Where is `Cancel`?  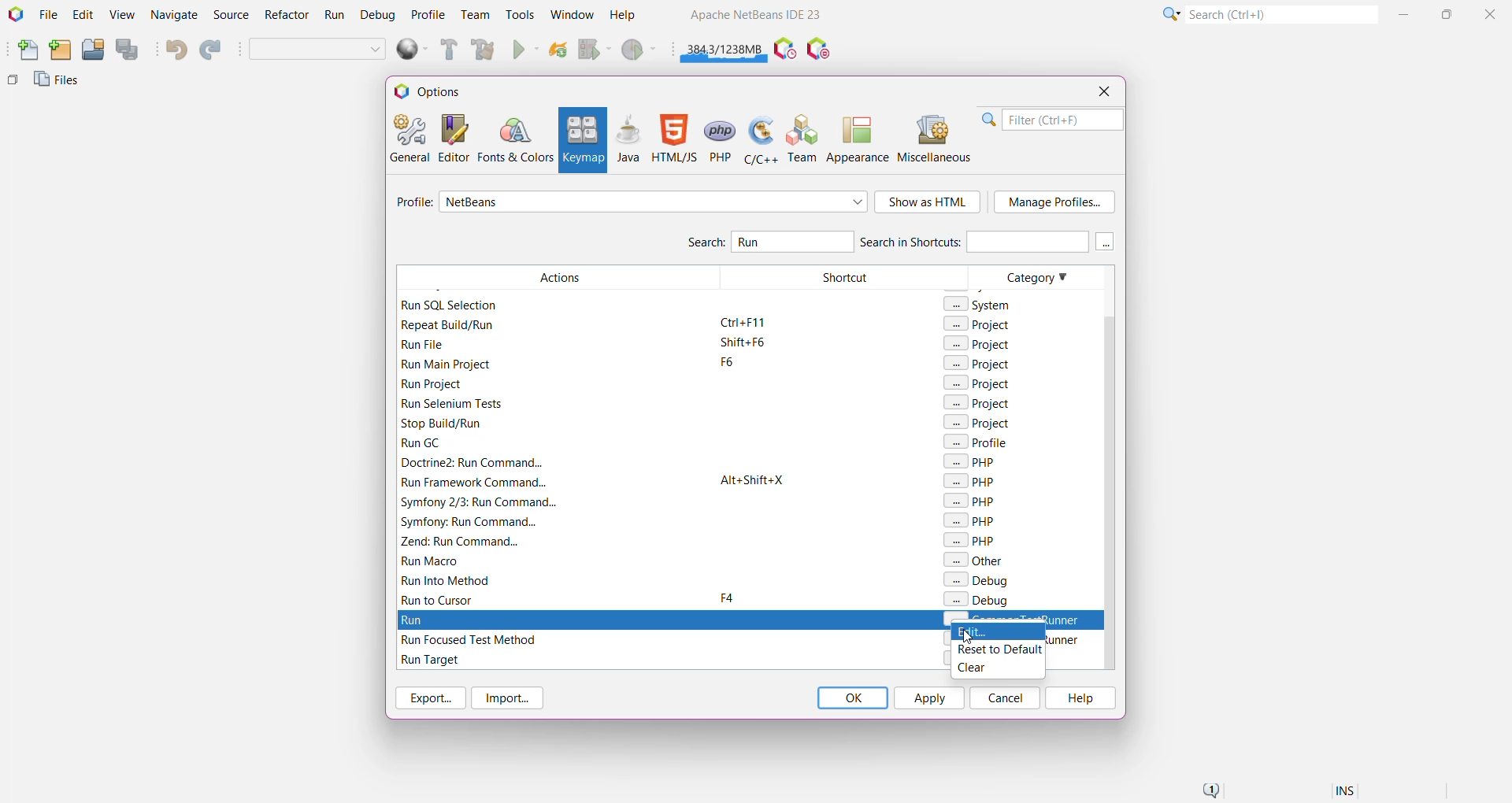 Cancel is located at coordinates (1005, 698).